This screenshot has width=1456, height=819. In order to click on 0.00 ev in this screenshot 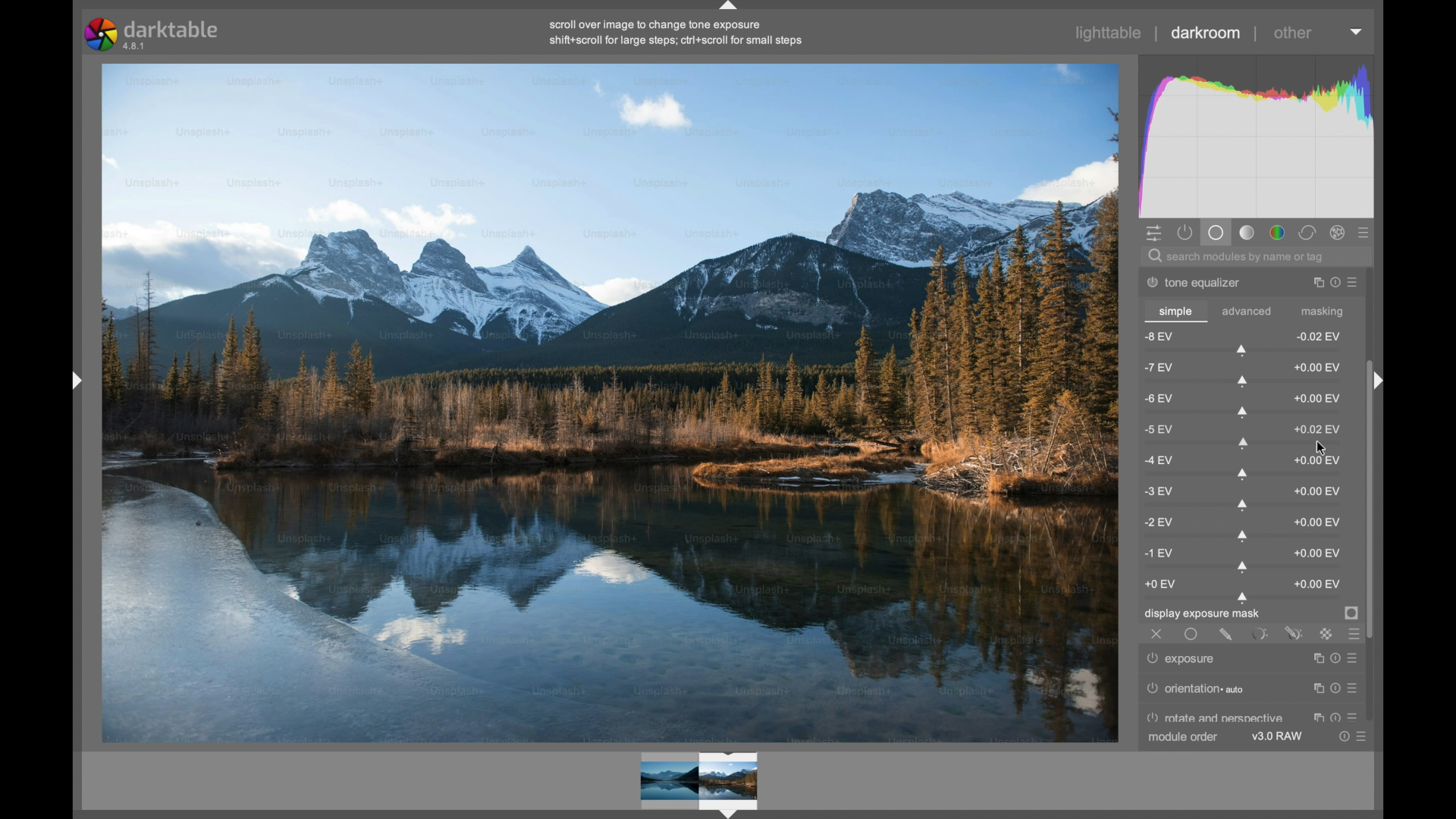, I will do `click(1317, 462)`.